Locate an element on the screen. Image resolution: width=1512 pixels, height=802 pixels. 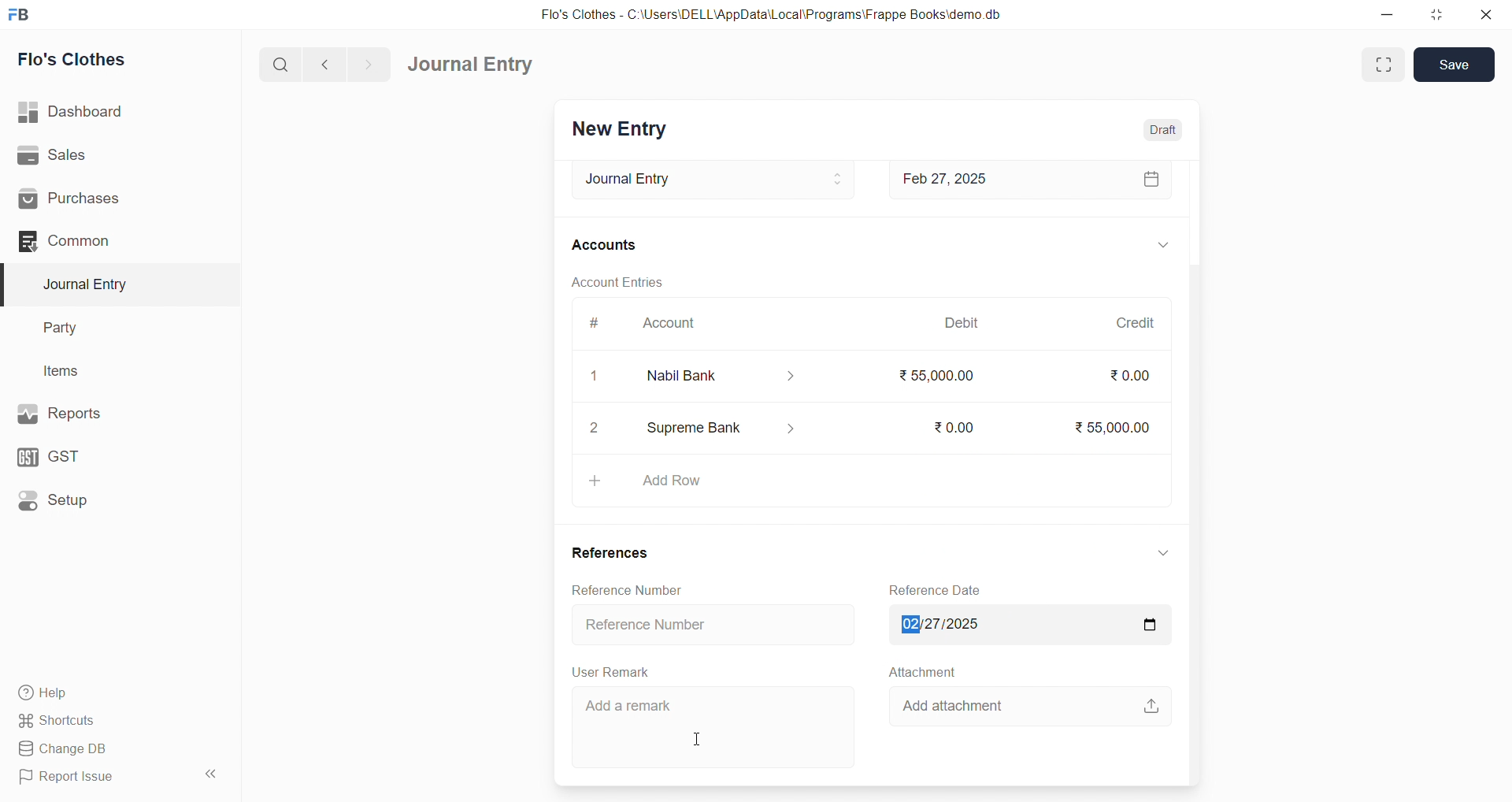
close is located at coordinates (1488, 14).